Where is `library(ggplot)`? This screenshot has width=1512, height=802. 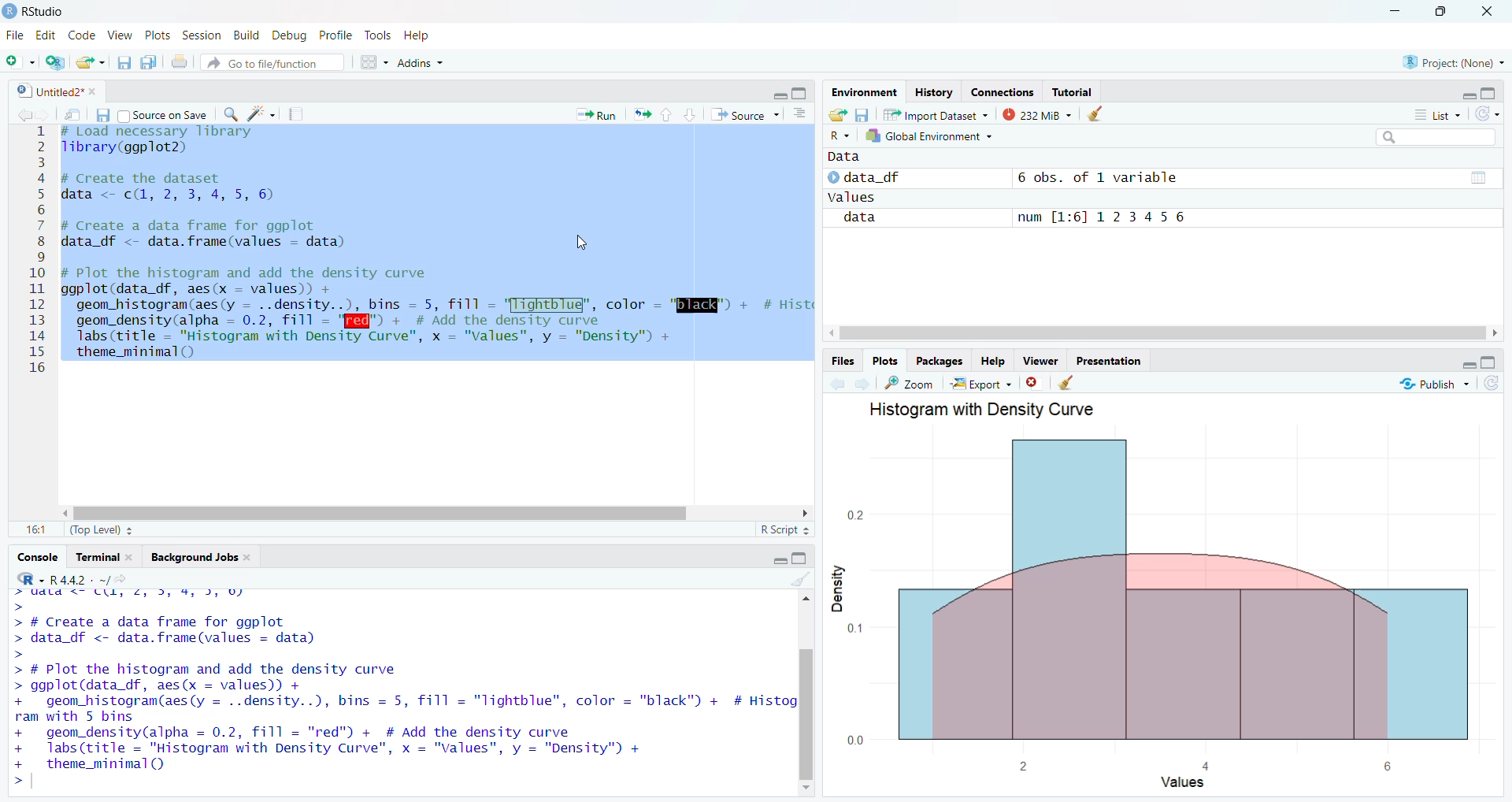 library(ggplot) is located at coordinates (124, 147).